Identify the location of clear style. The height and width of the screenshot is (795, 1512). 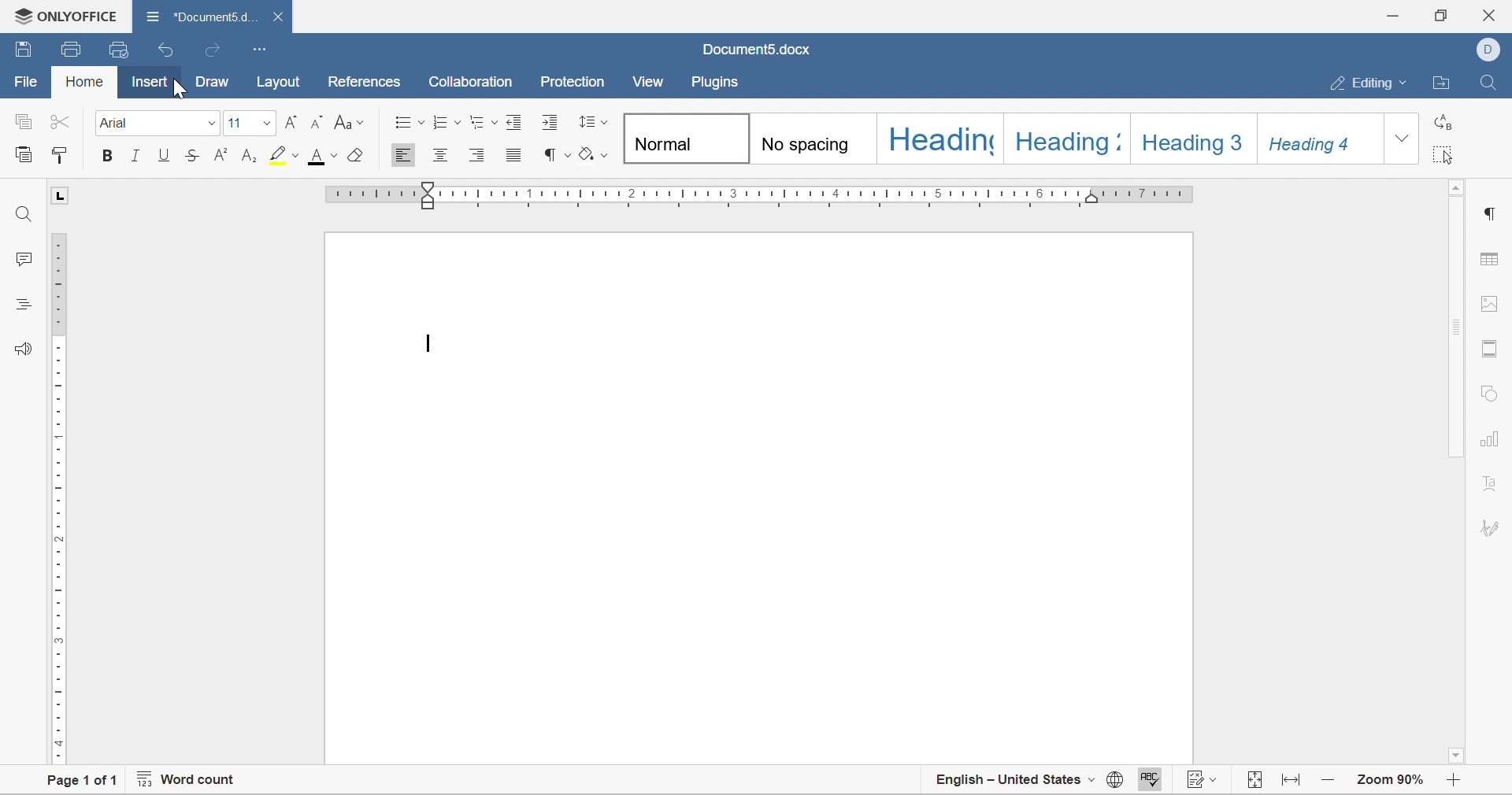
(364, 156).